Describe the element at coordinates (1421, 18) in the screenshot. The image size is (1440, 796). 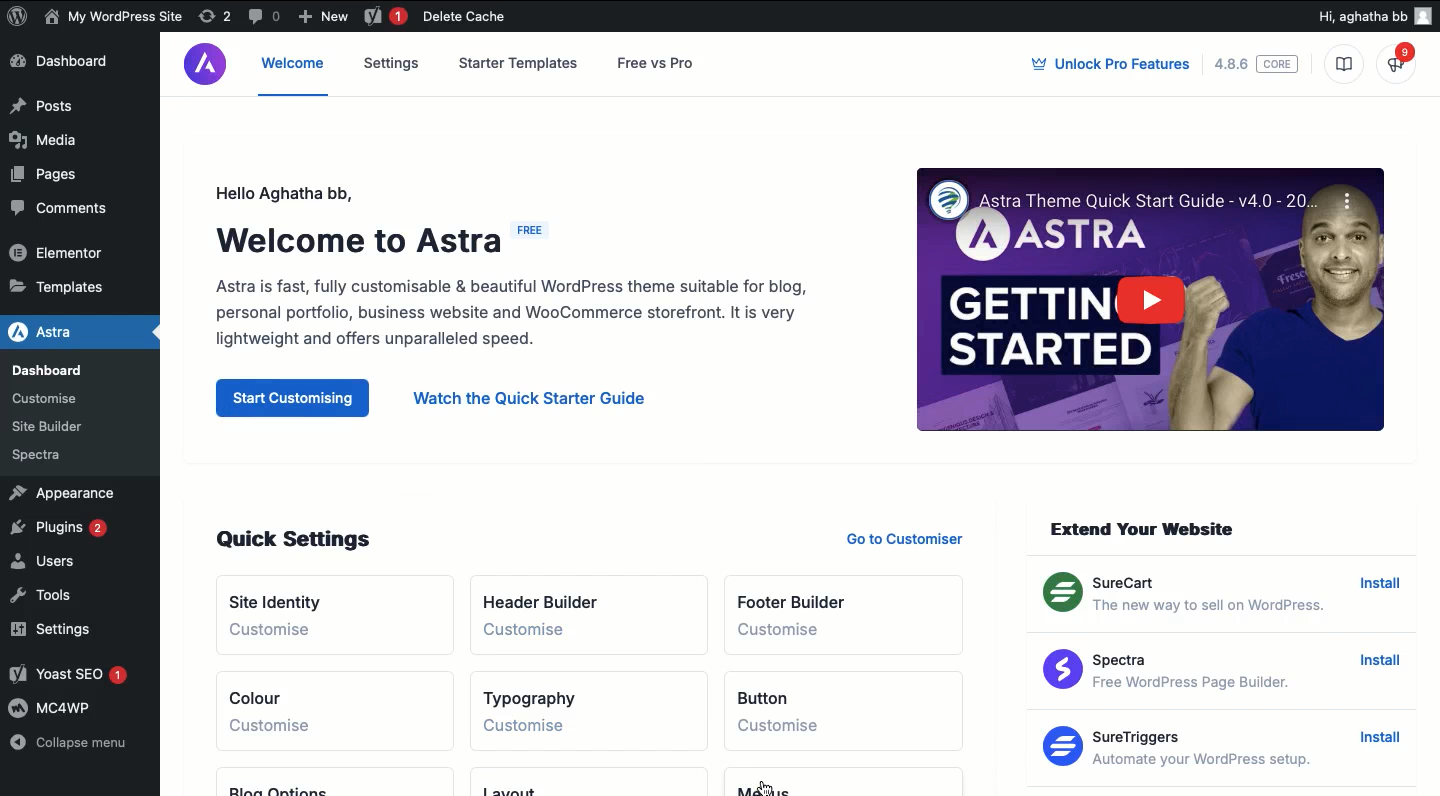
I see `user icon` at that location.